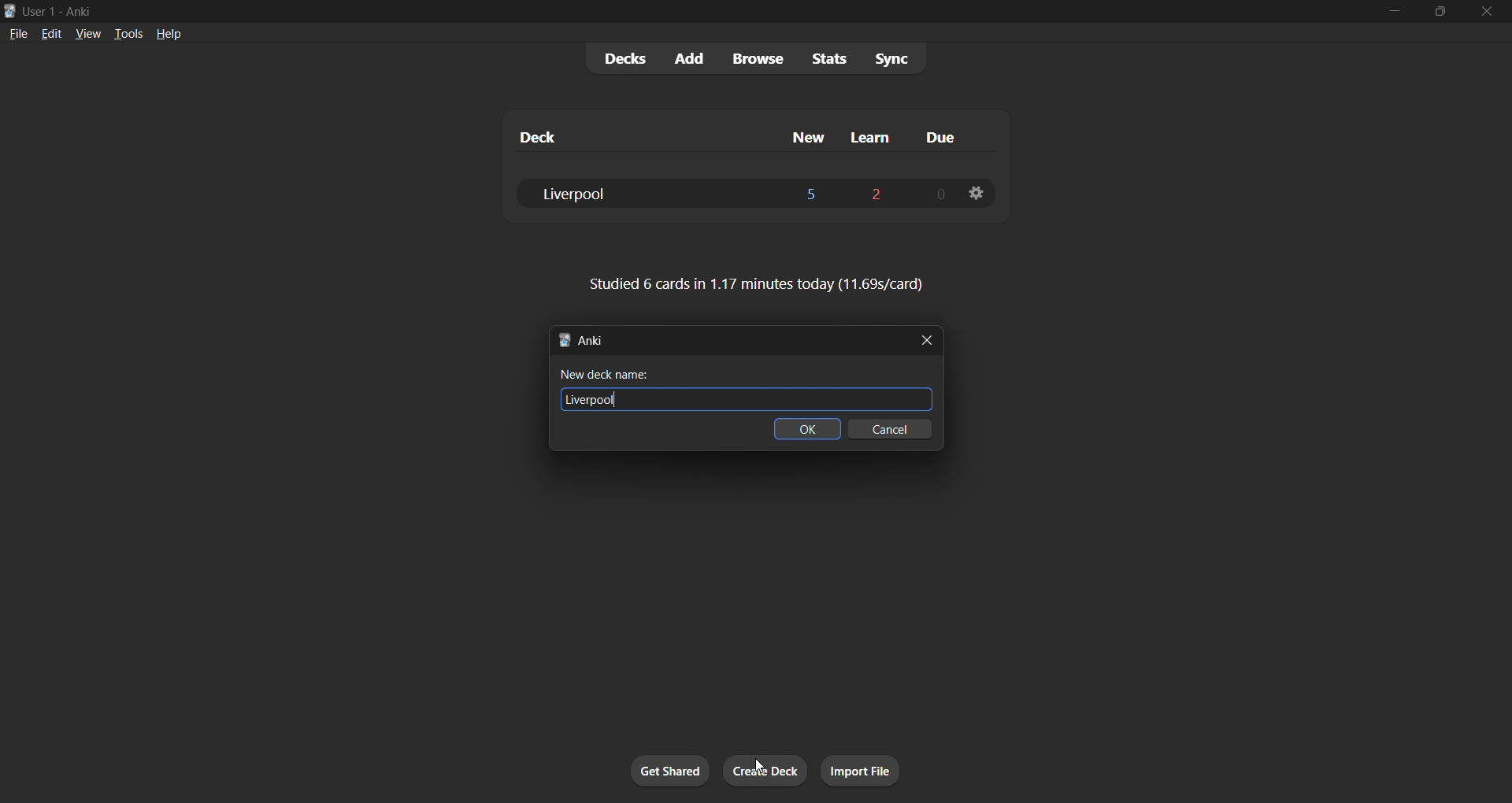 This screenshot has width=1512, height=803. Describe the element at coordinates (131, 34) in the screenshot. I see `tools` at that location.